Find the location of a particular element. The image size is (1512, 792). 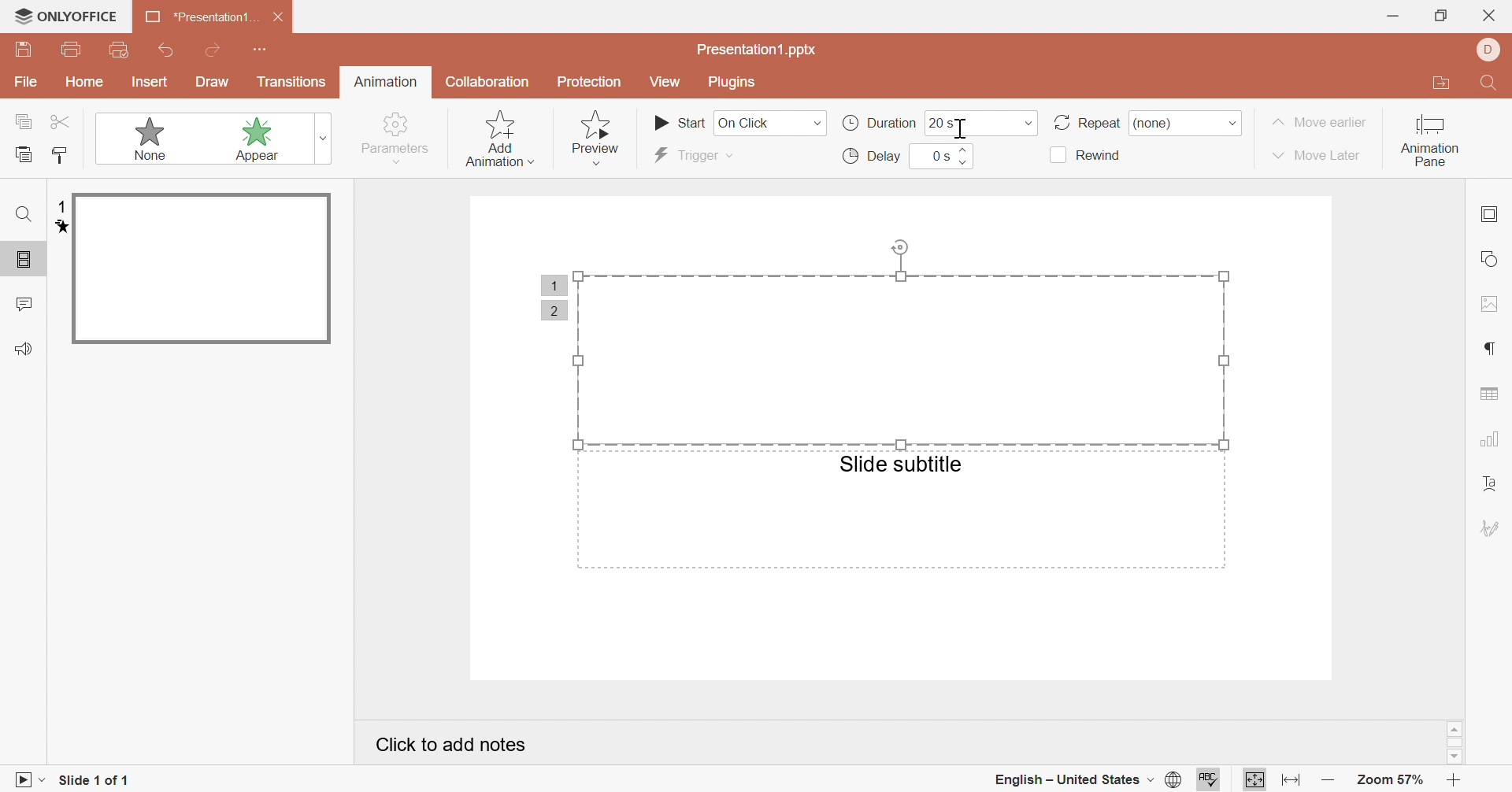

ONLYOFFICE is located at coordinates (66, 15).